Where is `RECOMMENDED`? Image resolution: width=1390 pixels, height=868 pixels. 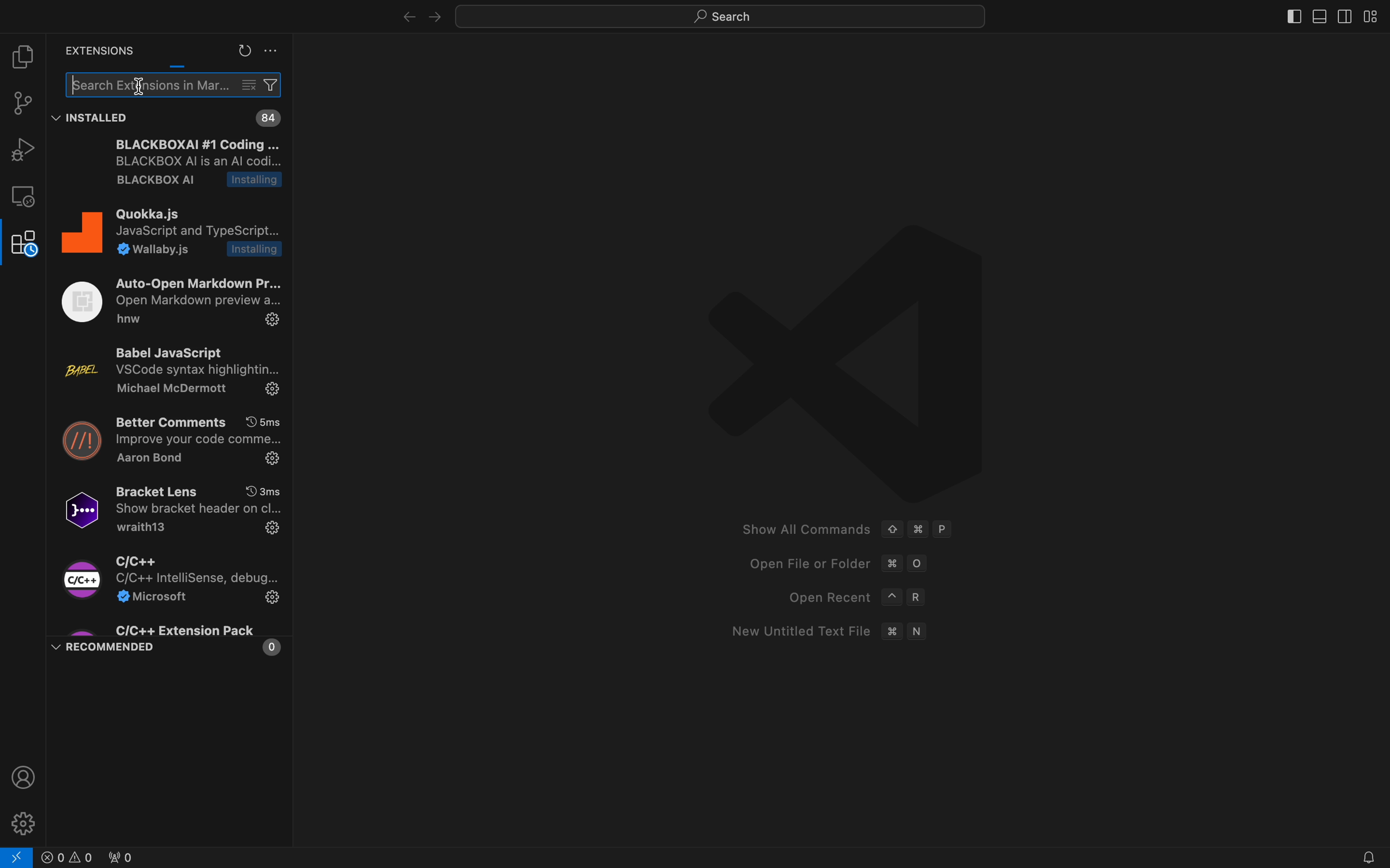
RECOMMENDED is located at coordinates (111, 650).